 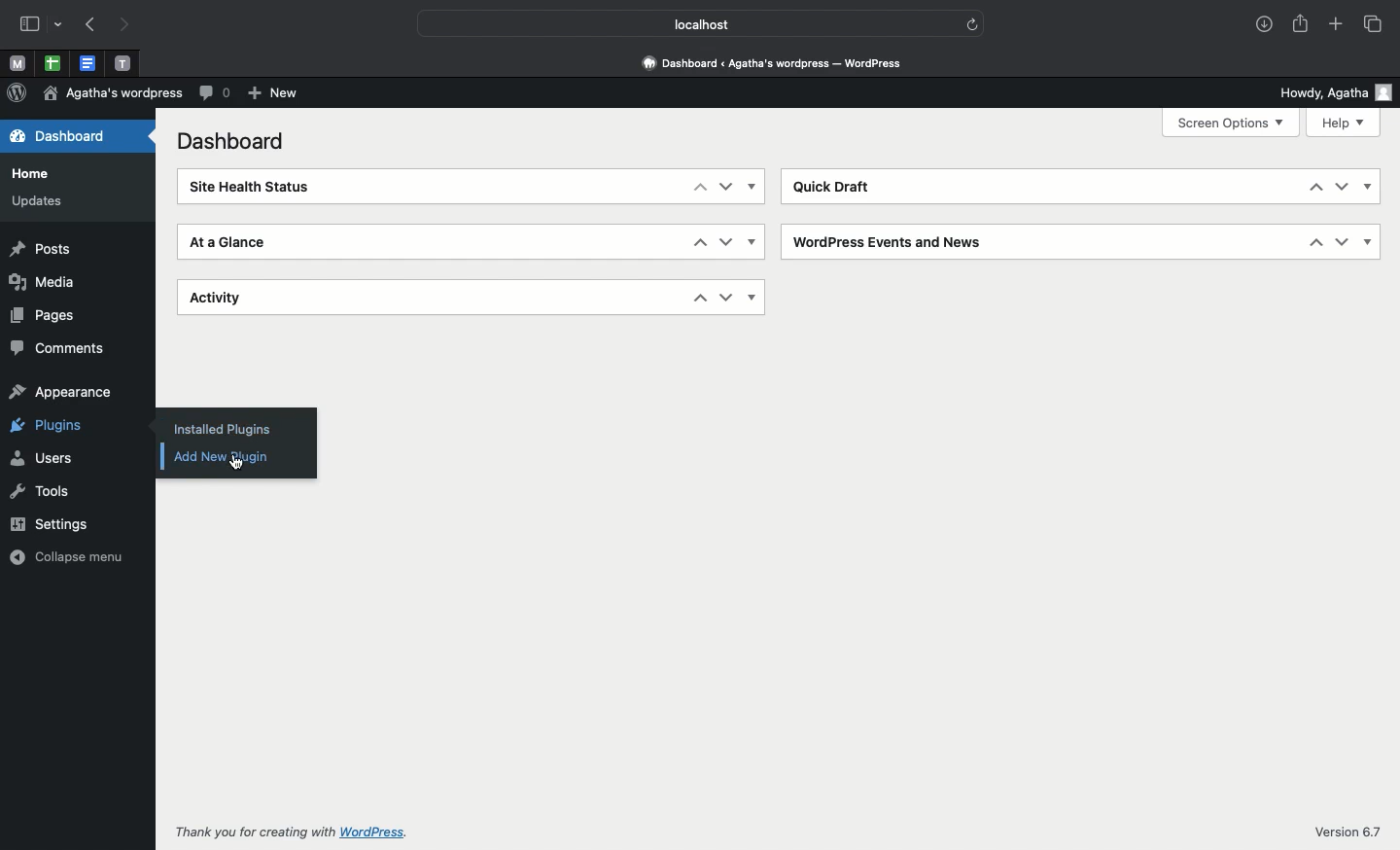 What do you see at coordinates (725, 241) in the screenshot?
I see `Down` at bounding box center [725, 241].